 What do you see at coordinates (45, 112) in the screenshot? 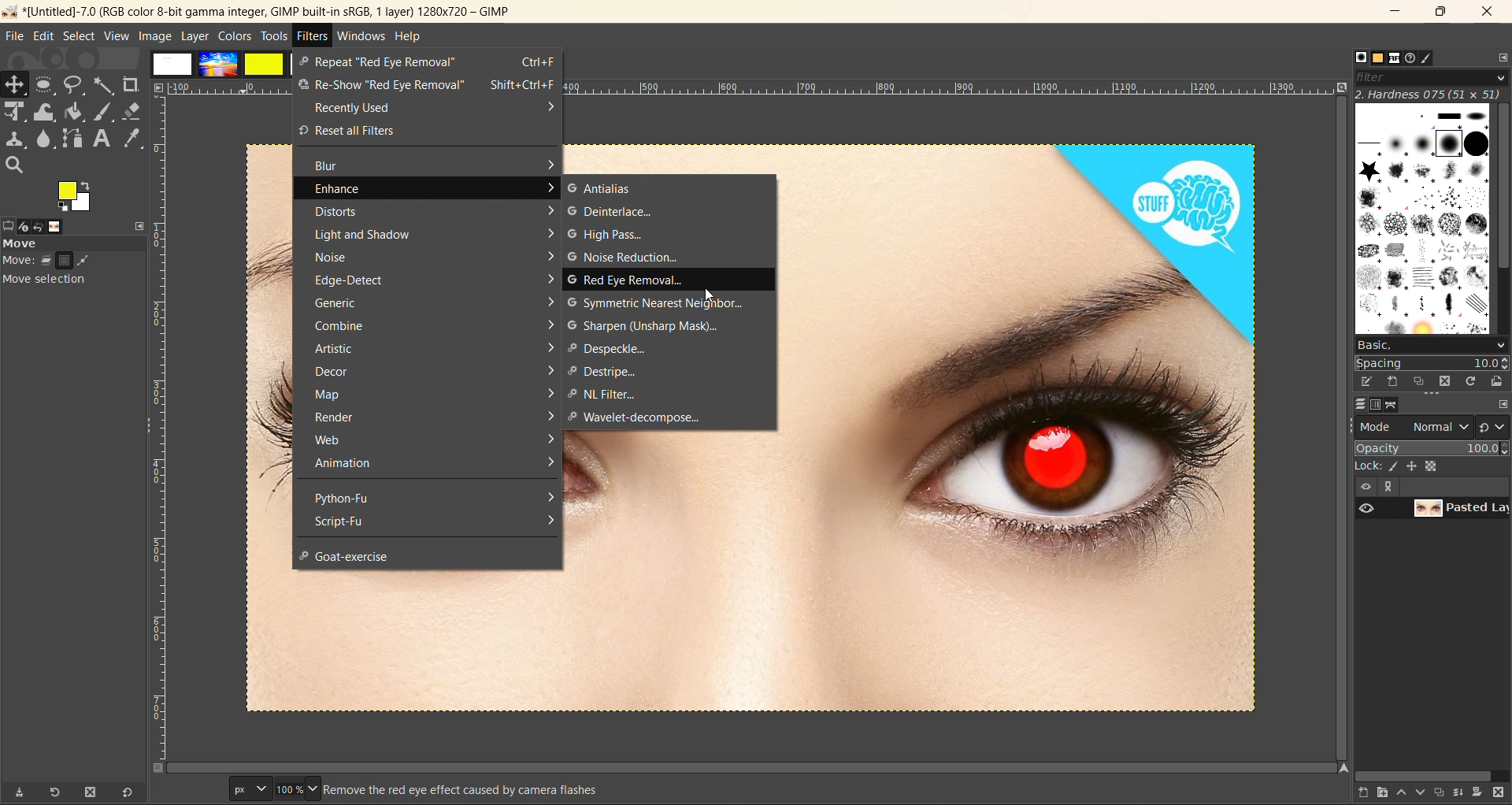
I see `wrap transform` at bounding box center [45, 112].